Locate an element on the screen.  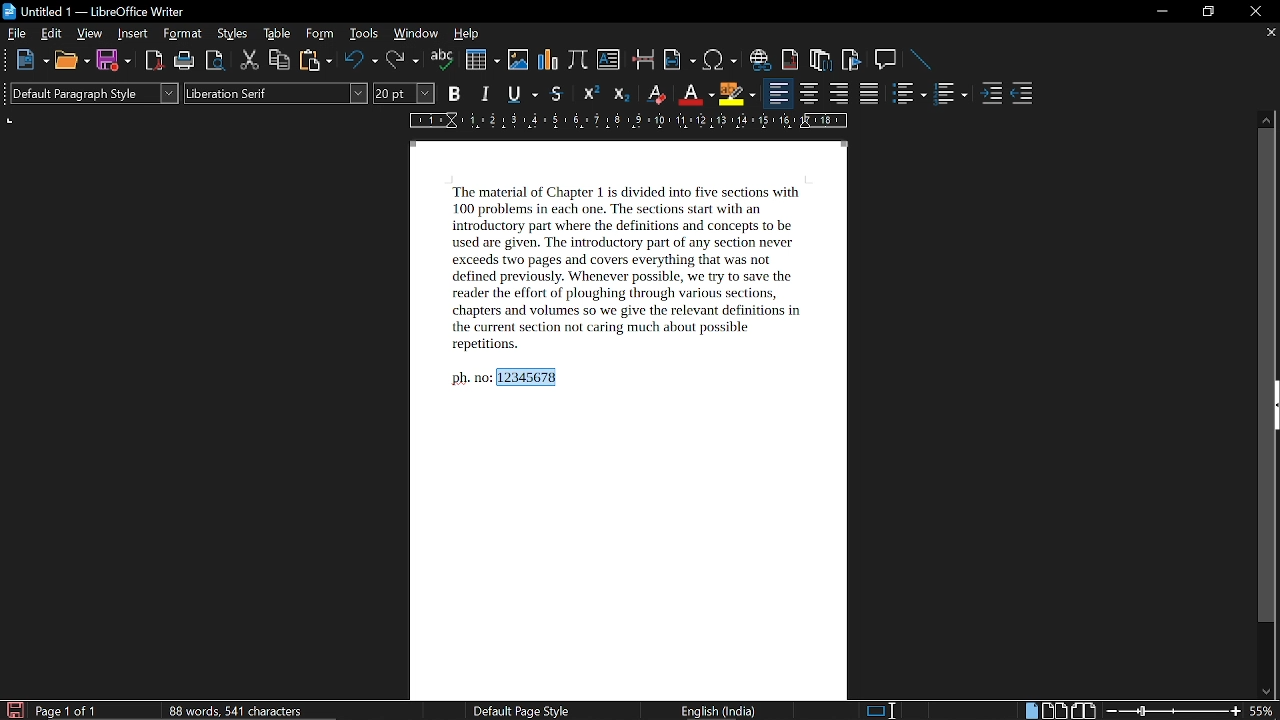
close current tab is located at coordinates (1270, 33).